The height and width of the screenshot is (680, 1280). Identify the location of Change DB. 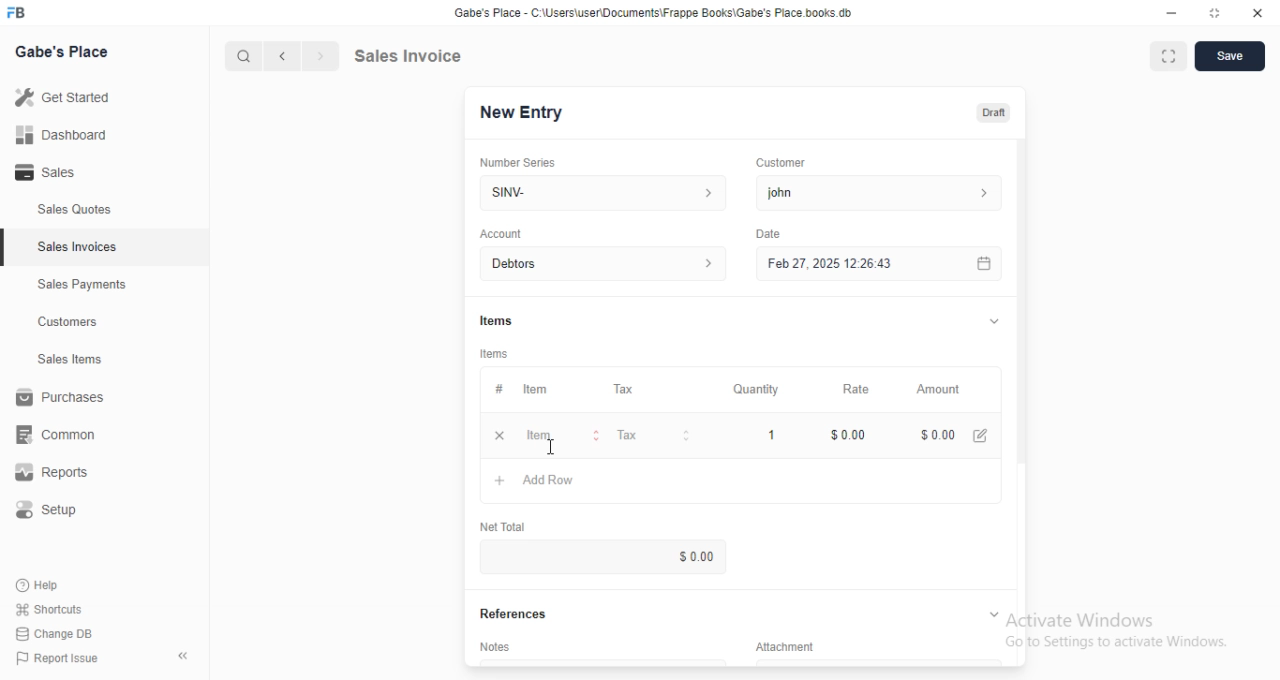
(57, 634).